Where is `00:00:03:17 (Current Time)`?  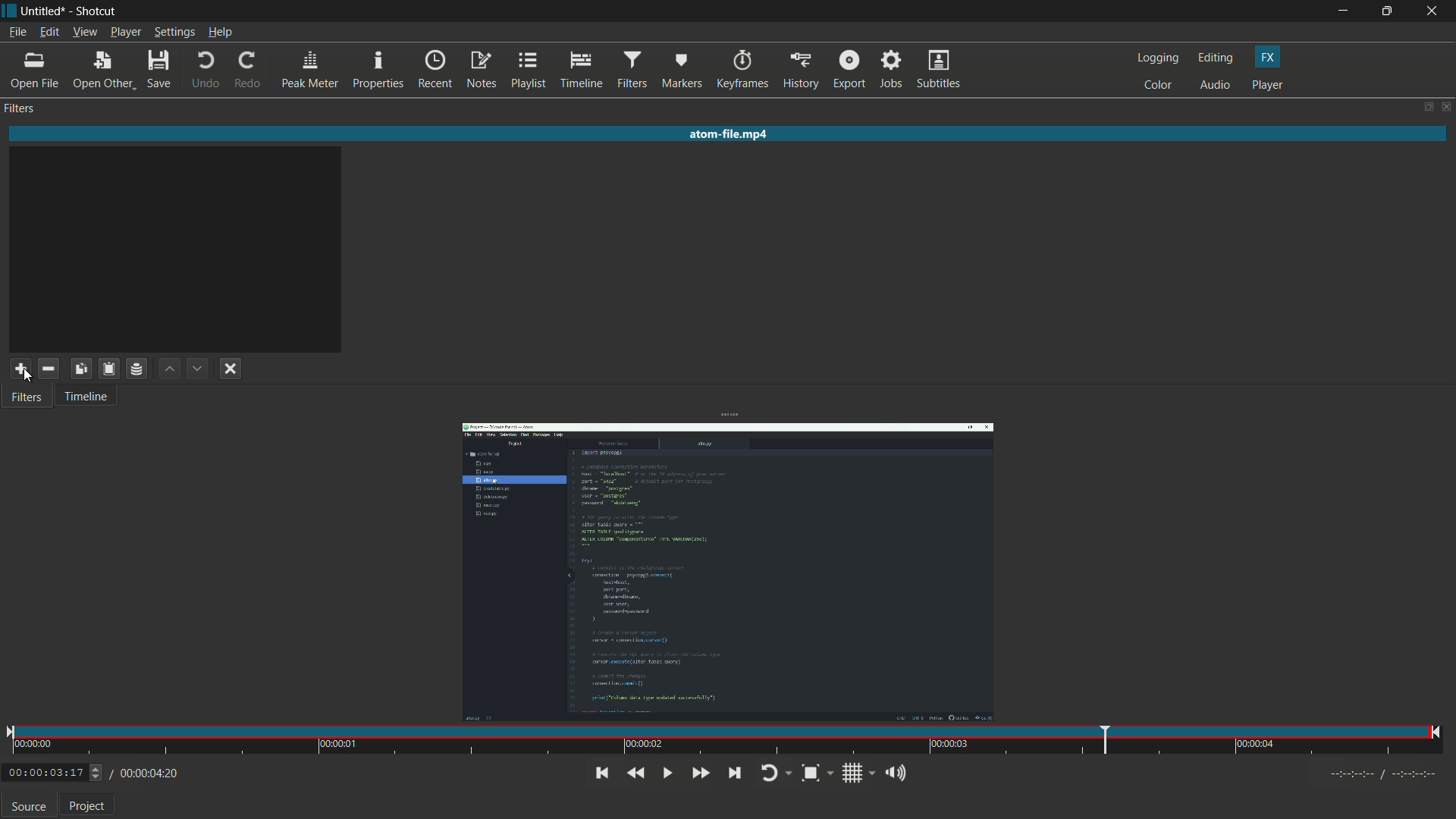
00:00:03:17 (Current Time) is located at coordinates (55, 773).